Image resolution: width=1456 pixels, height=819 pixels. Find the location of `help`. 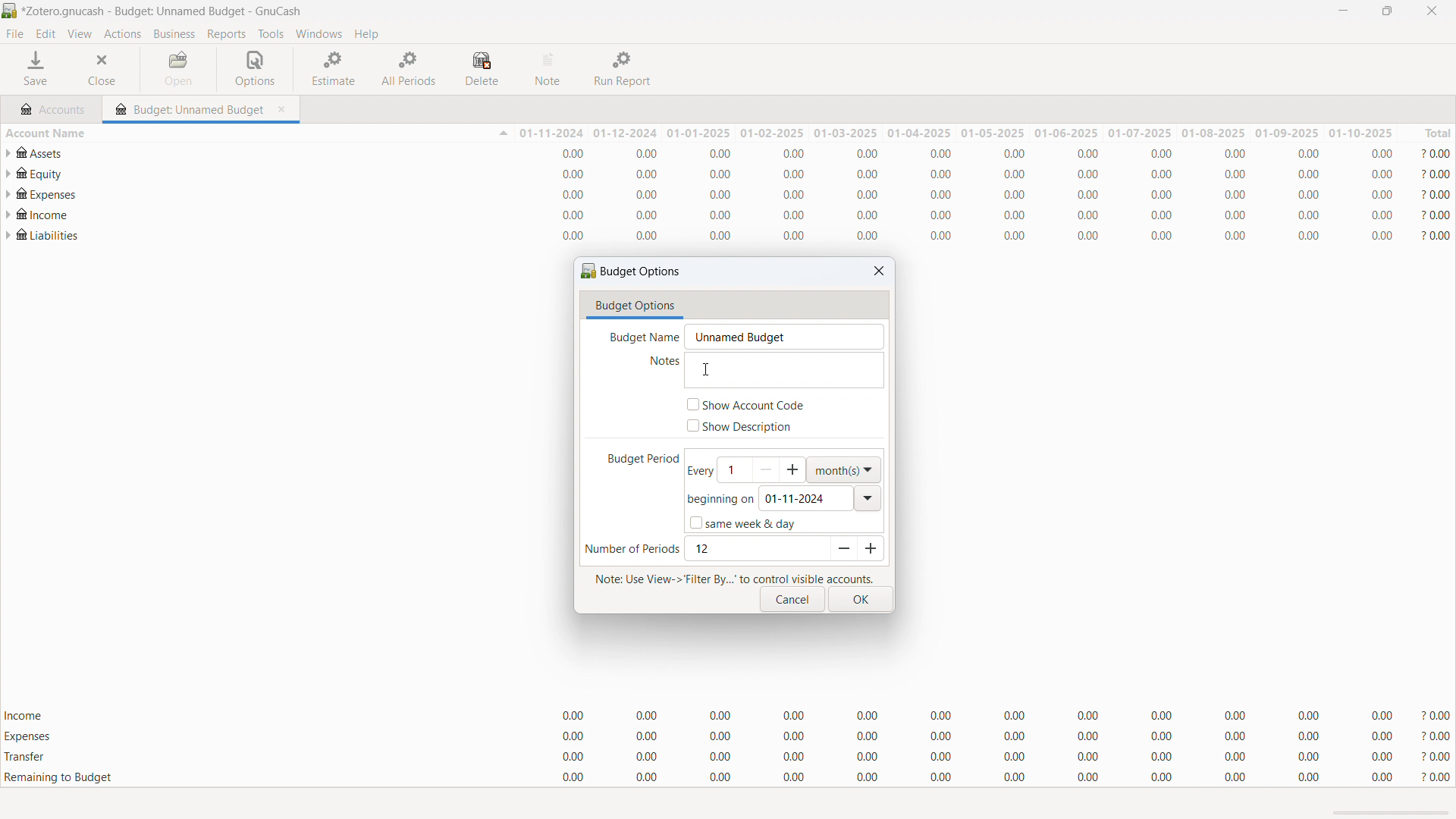

help is located at coordinates (366, 33).